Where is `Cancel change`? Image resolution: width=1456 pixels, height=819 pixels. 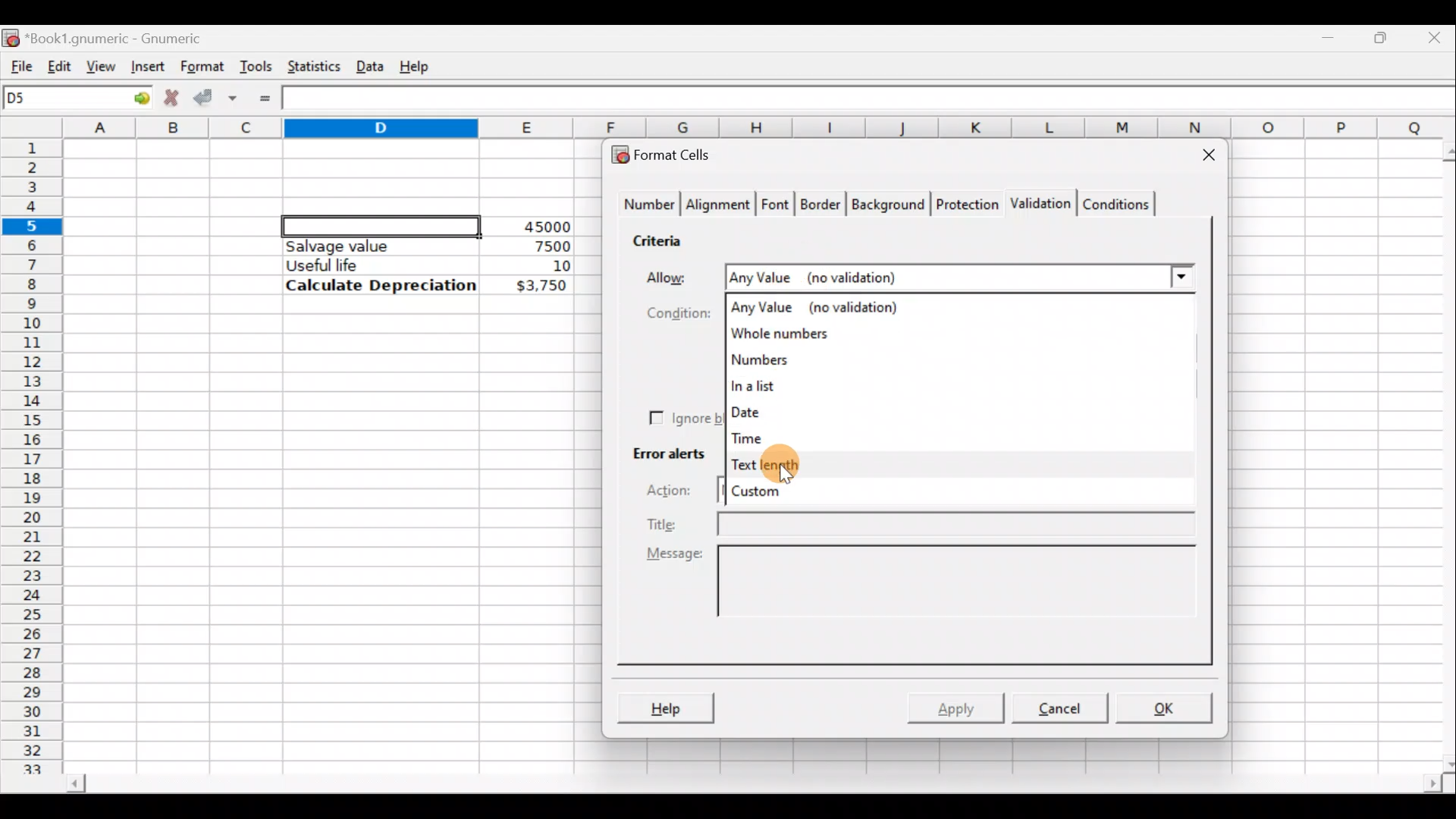
Cancel change is located at coordinates (170, 96).